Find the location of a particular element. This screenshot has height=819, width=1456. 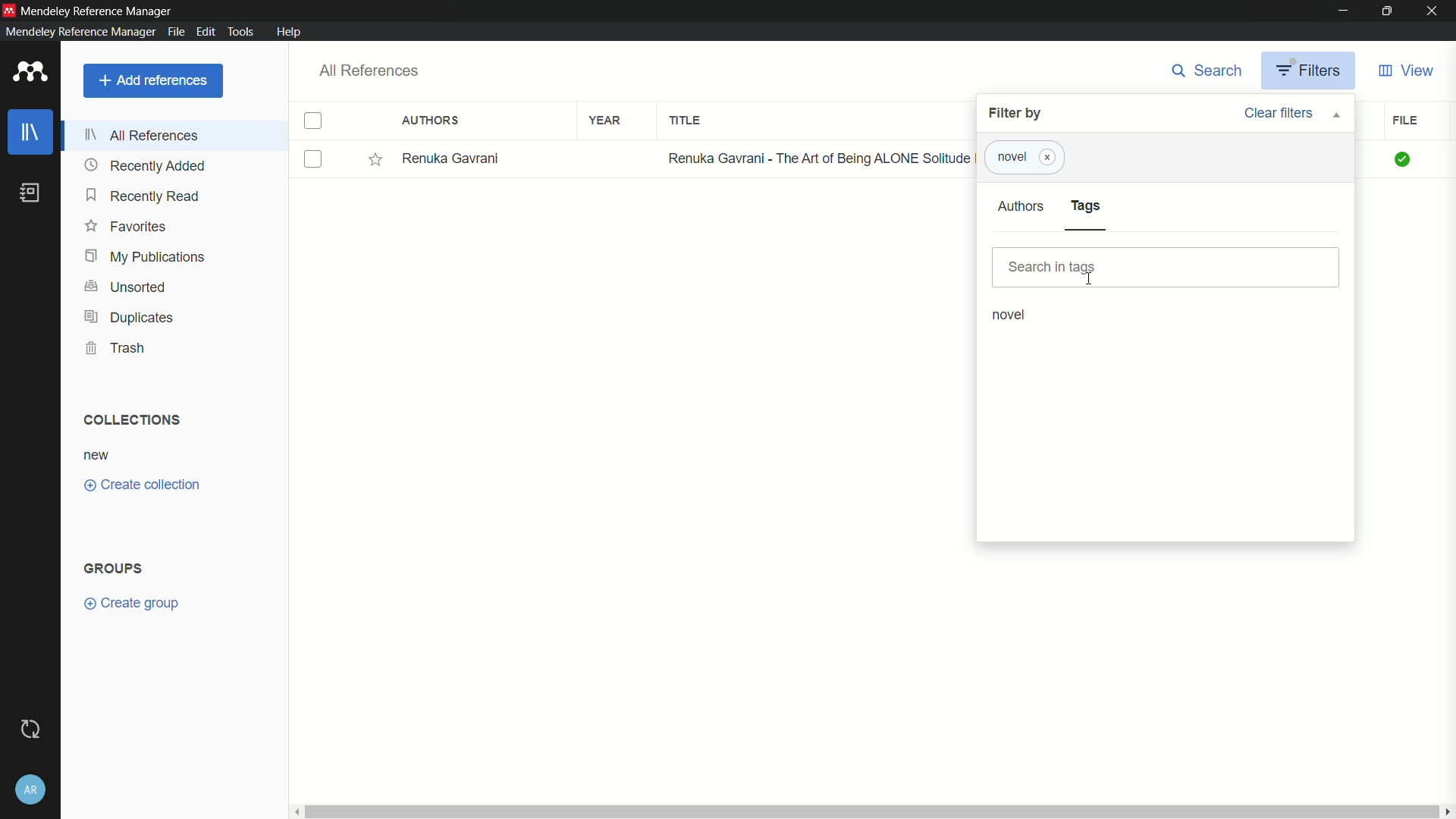

check box is located at coordinates (315, 159).